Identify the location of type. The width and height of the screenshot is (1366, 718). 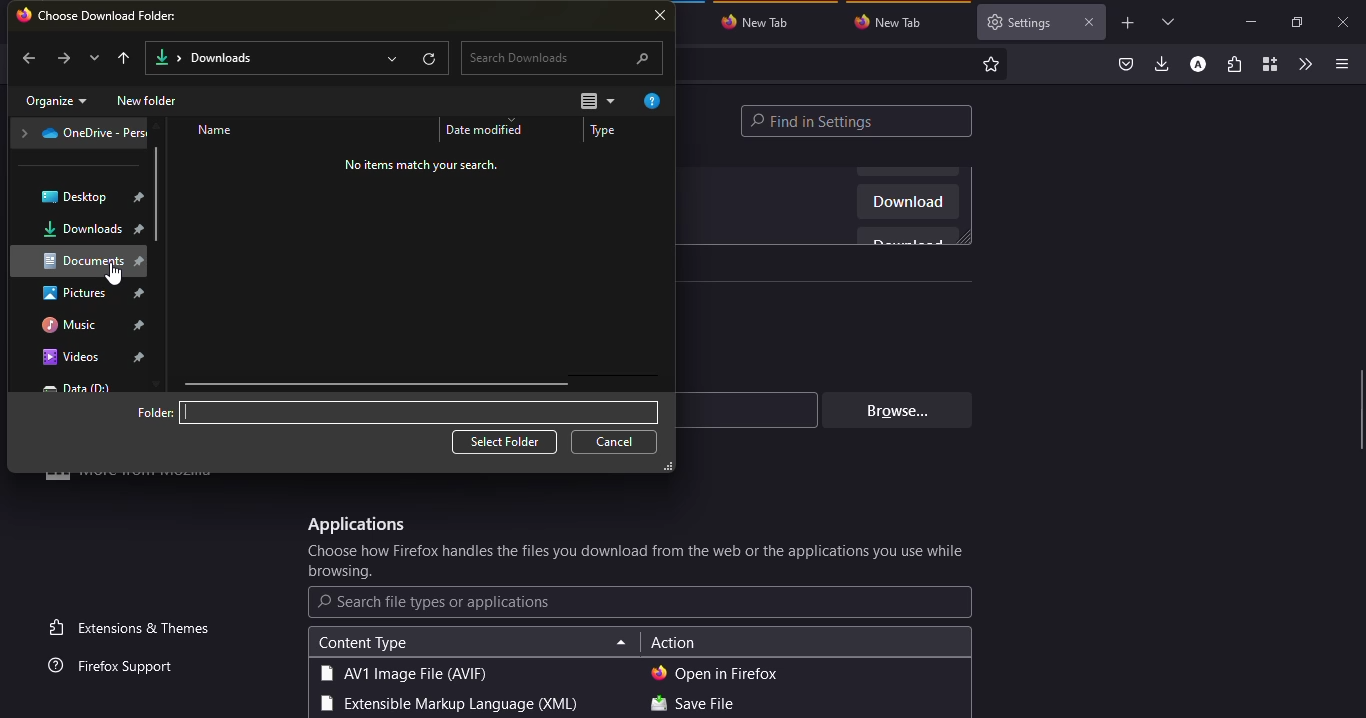
(446, 705).